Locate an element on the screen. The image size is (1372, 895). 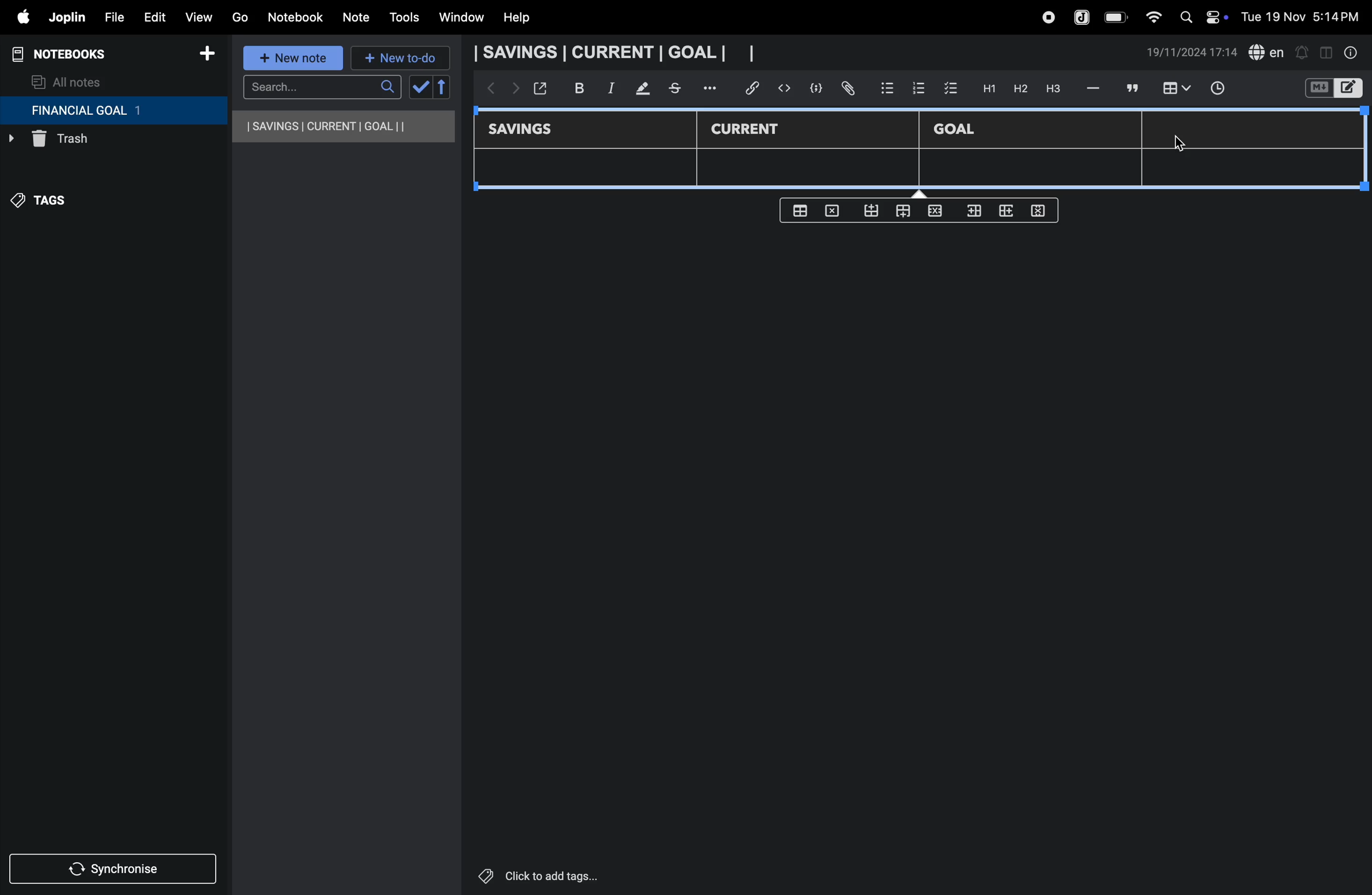
click to add tags is located at coordinates (567, 875).